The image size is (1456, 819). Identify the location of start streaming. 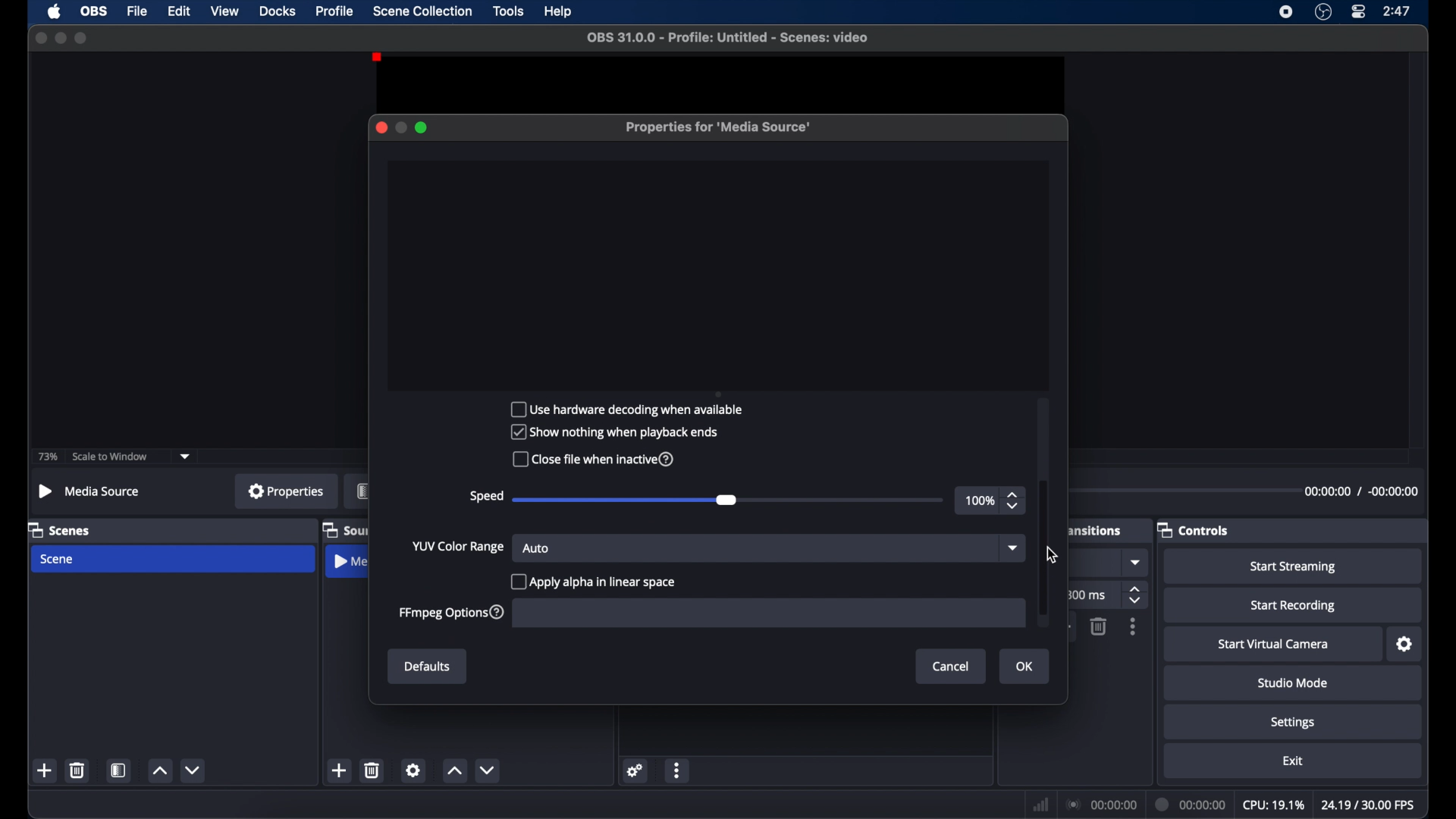
(1292, 566).